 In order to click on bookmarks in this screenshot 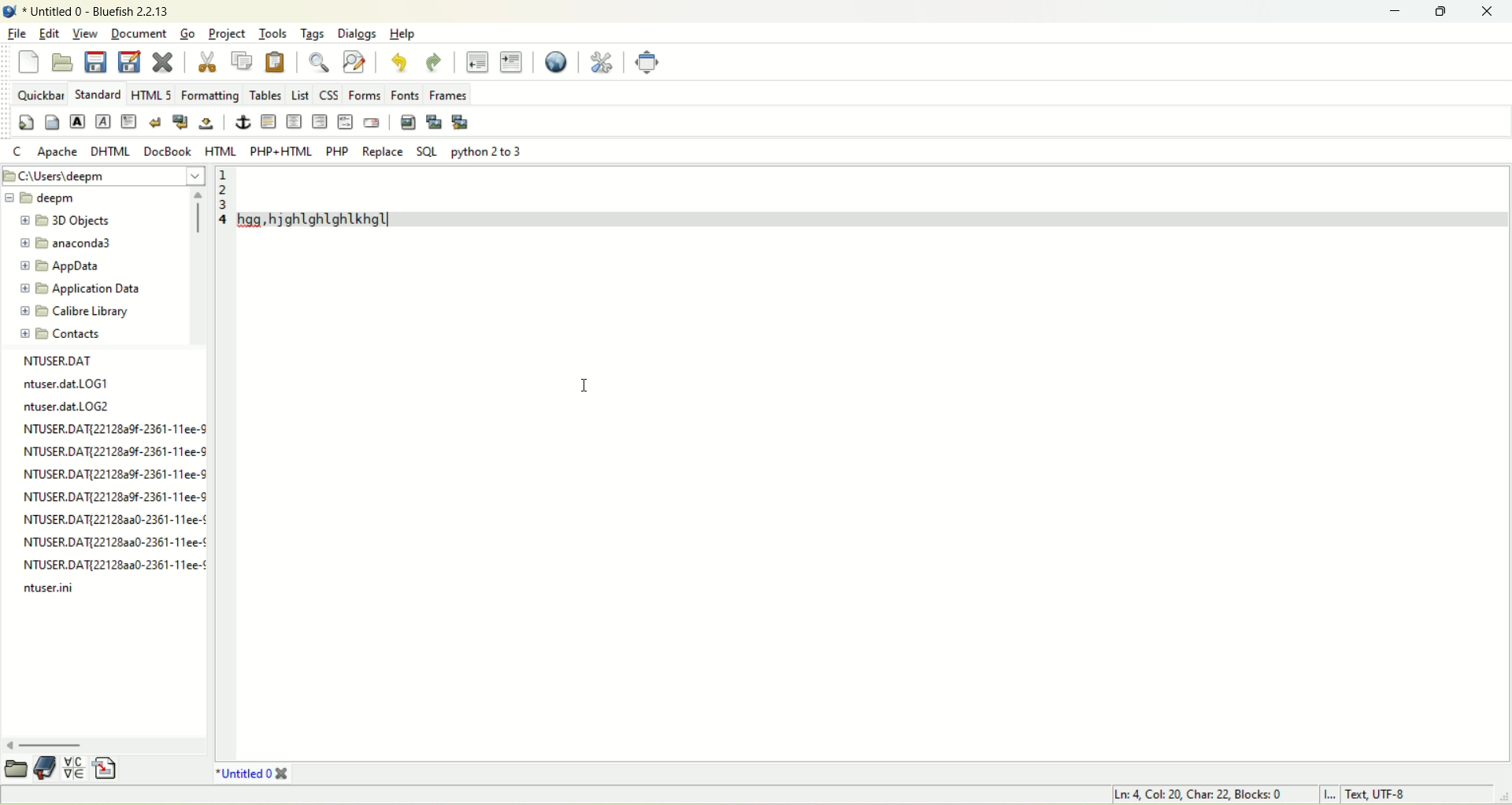, I will do `click(46, 770)`.